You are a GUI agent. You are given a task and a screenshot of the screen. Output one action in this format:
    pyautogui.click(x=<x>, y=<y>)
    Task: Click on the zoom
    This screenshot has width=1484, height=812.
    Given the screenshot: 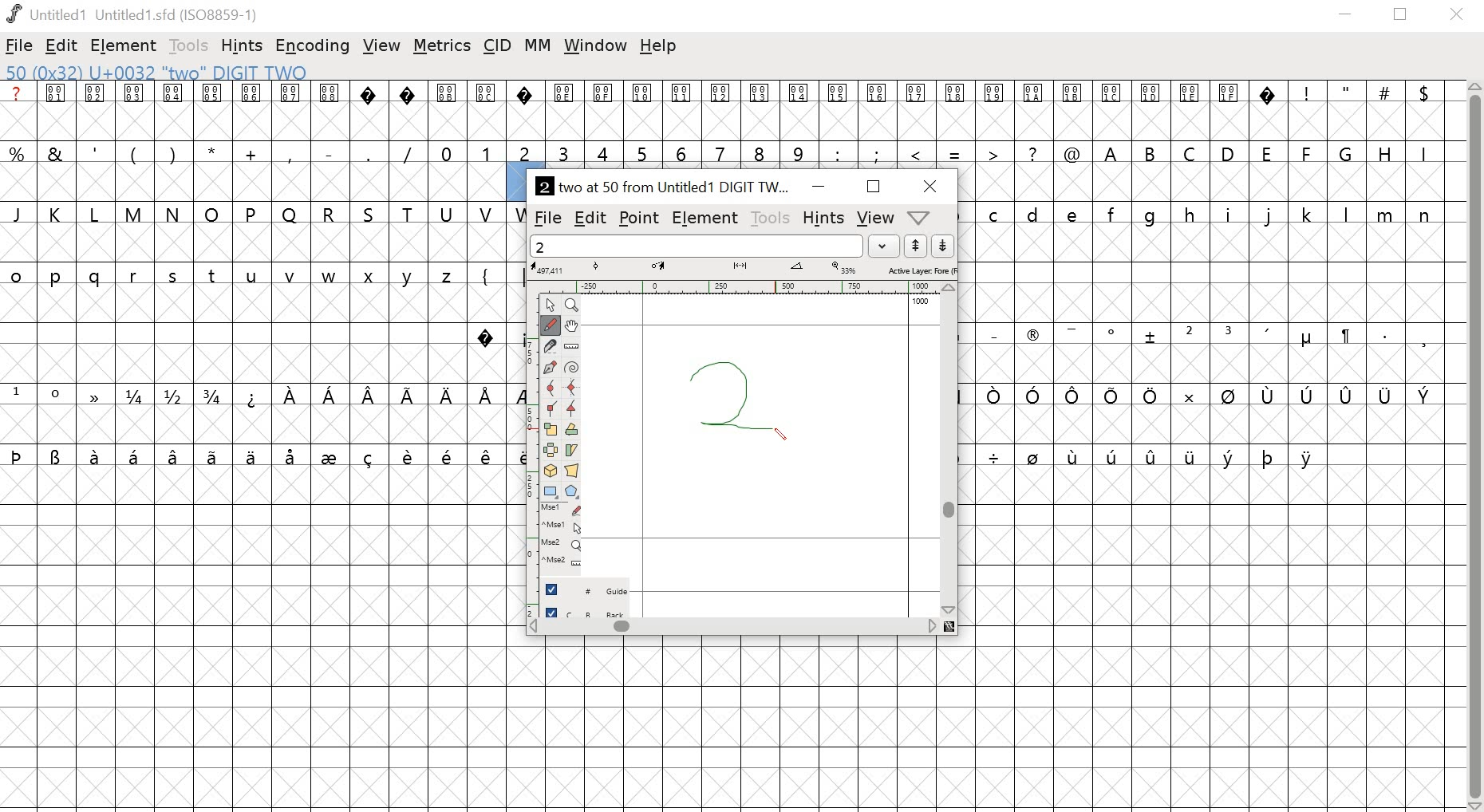 What is the action you would take?
    pyautogui.click(x=574, y=305)
    